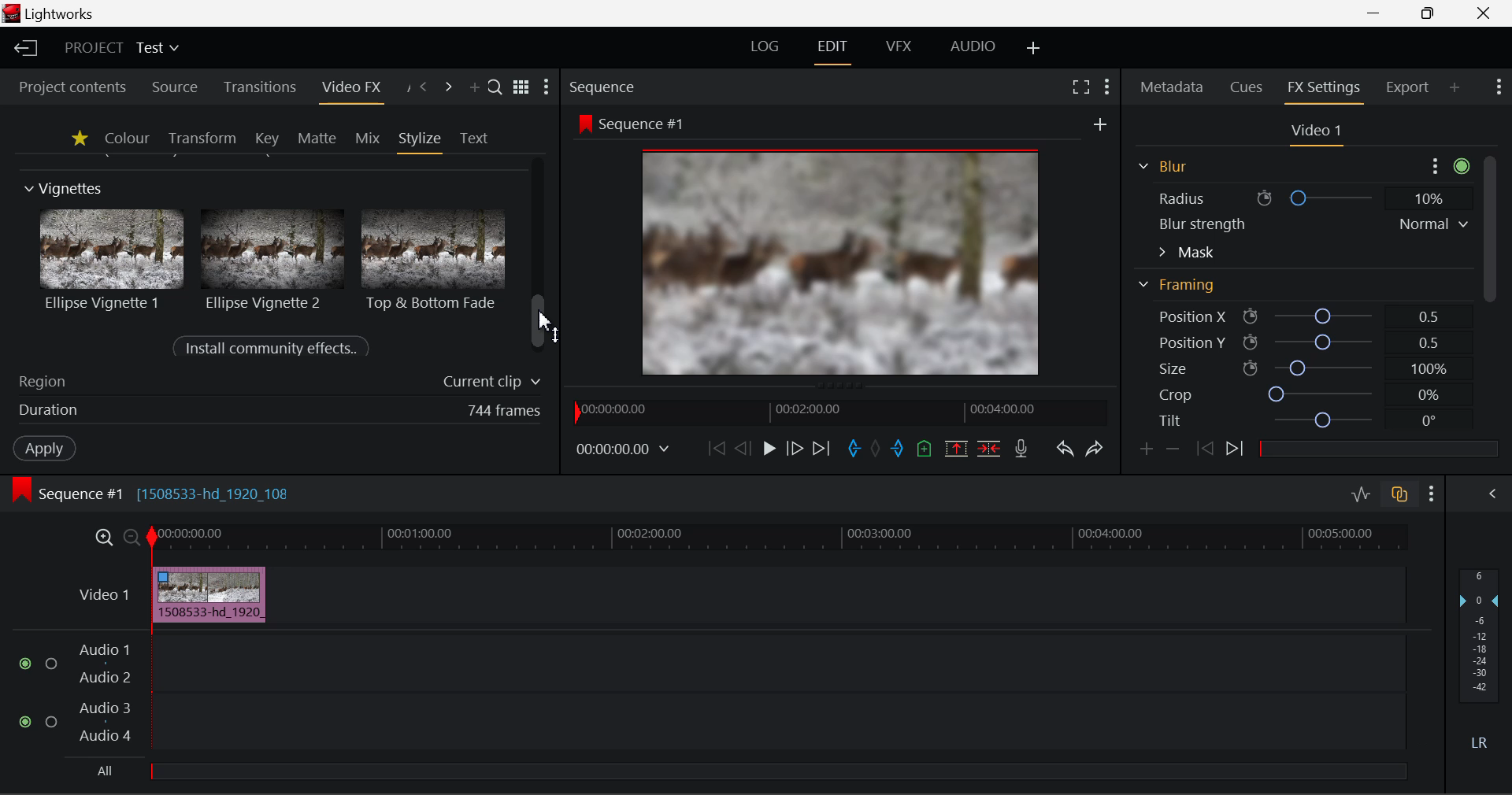  What do you see at coordinates (1299, 420) in the screenshot?
I see `Tilt` at bounding box center [1299, 420].